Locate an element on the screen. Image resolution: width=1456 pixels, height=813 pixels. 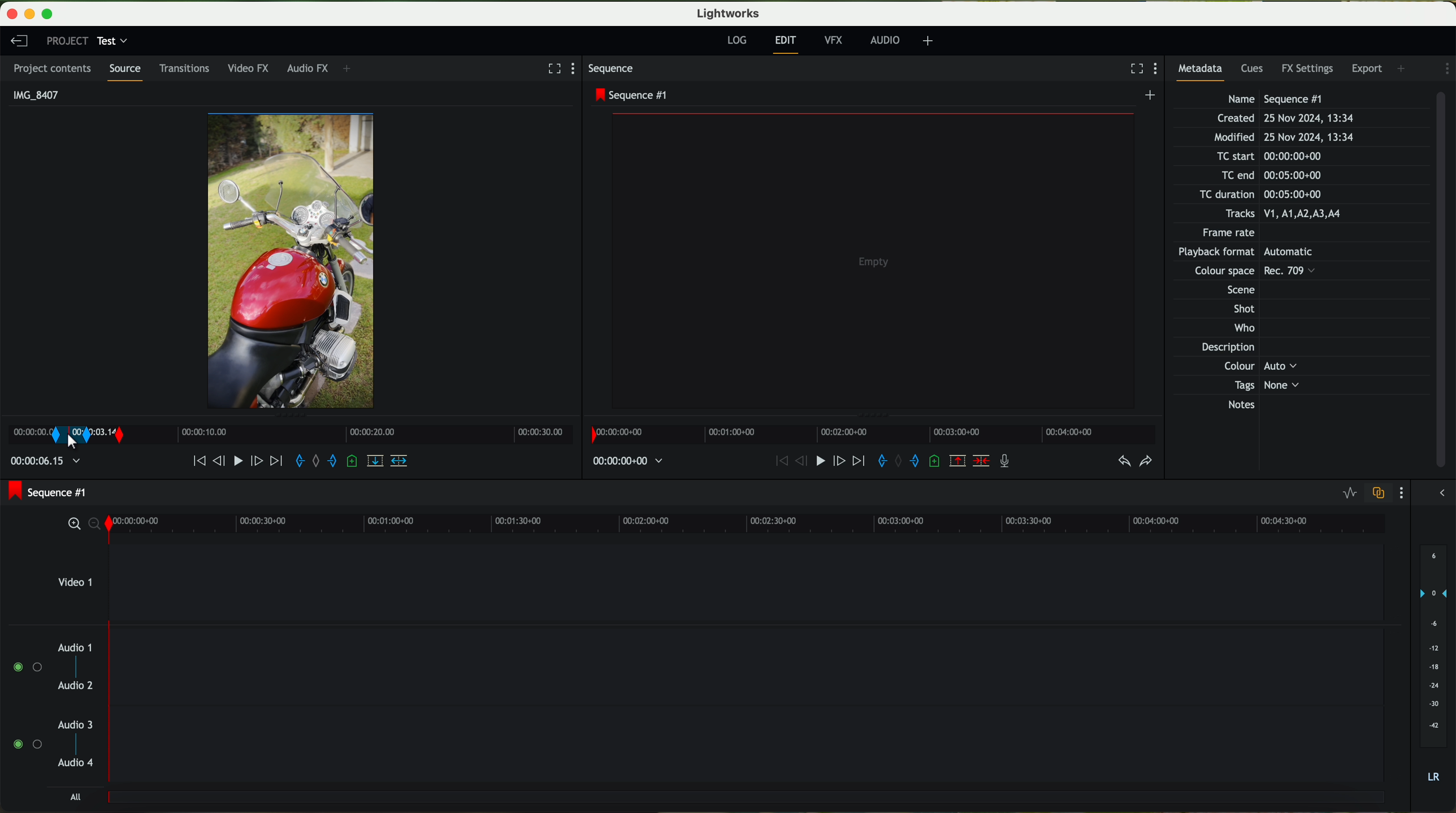
show settings menu is located at coordinates (1158, 70).